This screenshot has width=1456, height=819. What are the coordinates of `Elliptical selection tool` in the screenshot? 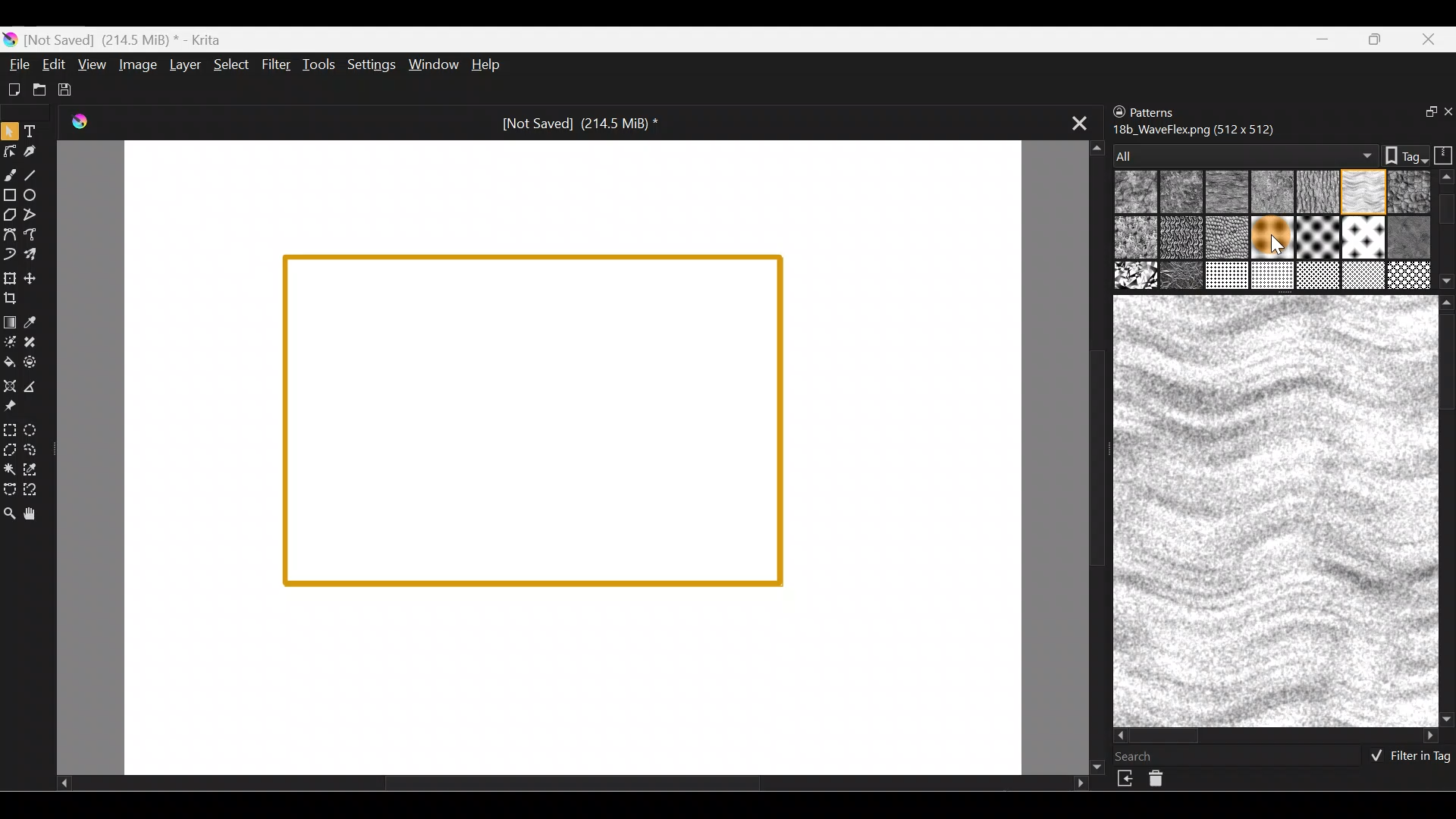 It's located at (35, 429).